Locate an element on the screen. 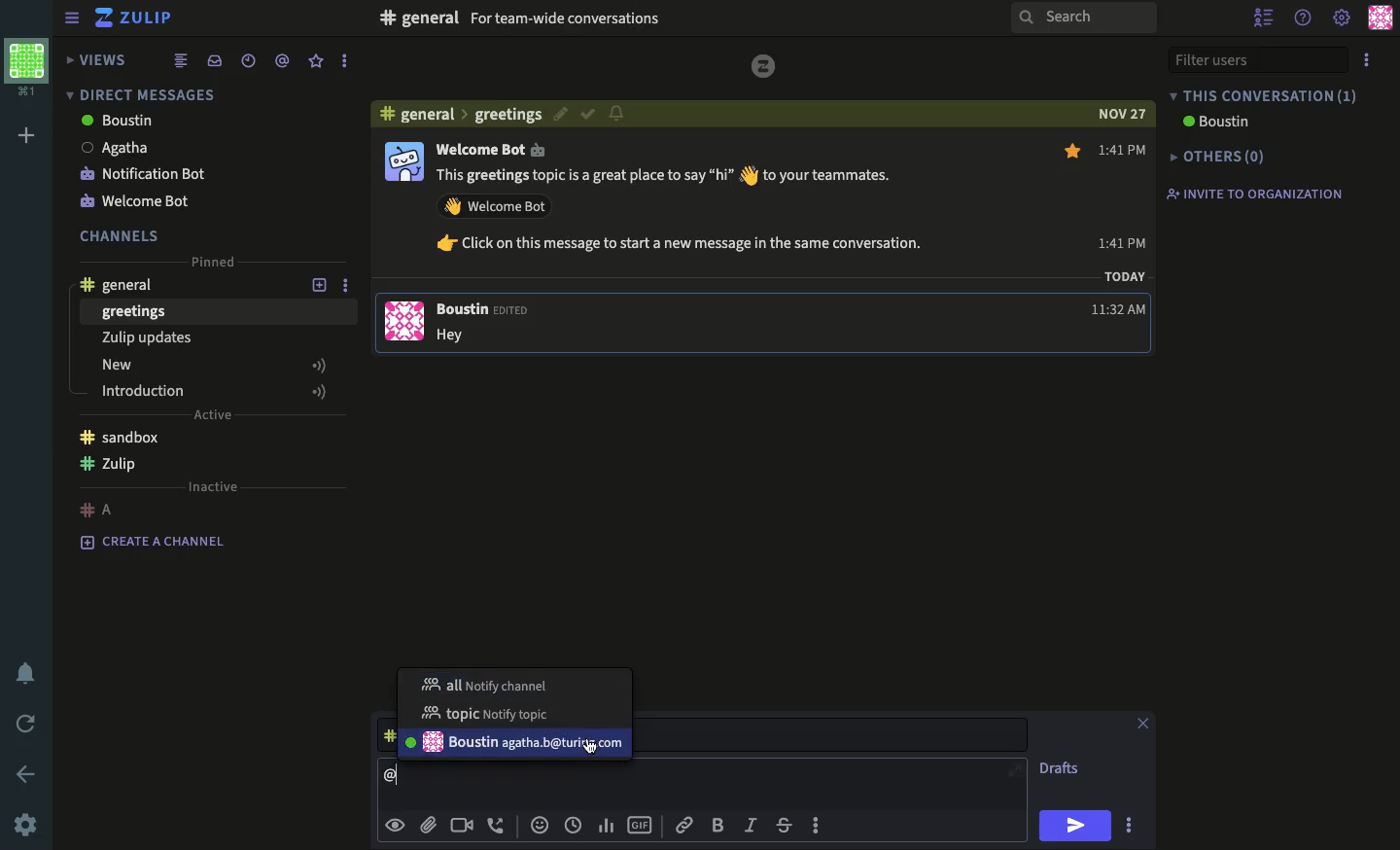 This screenshot has height=850, width=1400. settings is located at coordinates (24, 827).